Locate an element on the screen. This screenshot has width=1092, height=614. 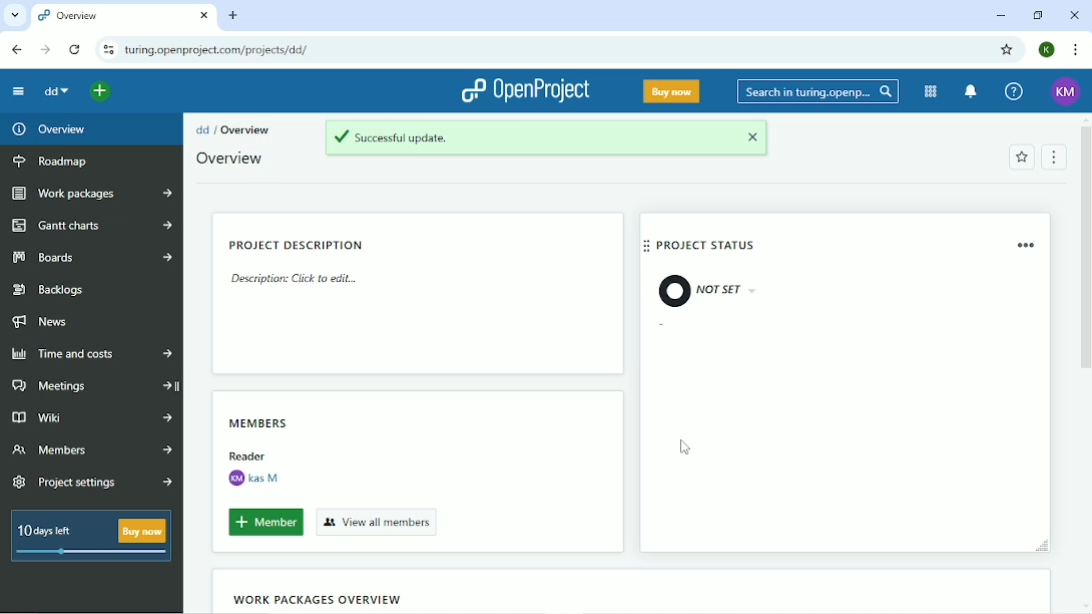
Member is located at coordinates (262, 522).